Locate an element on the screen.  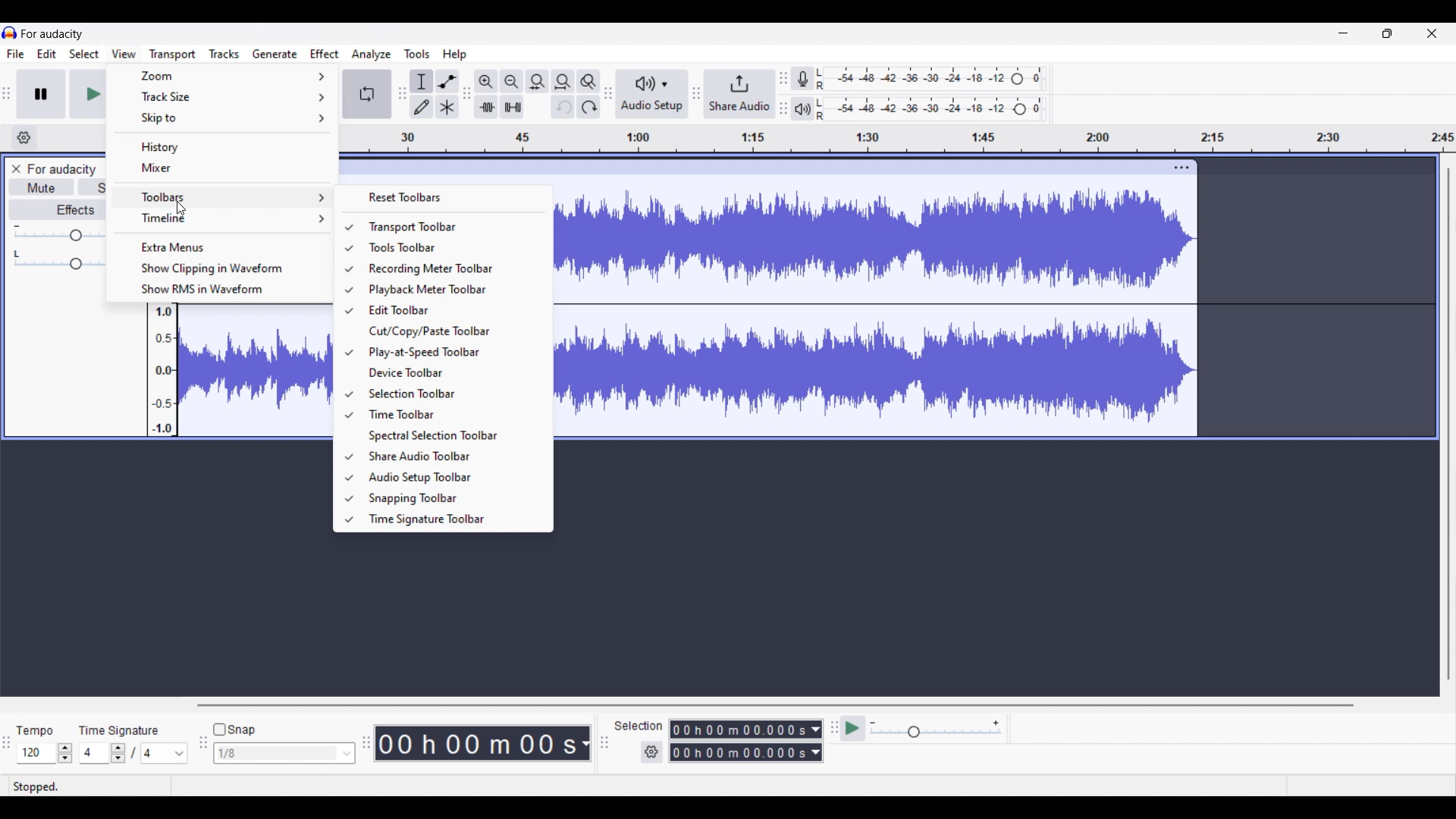
Close track is located at coordinates (17, 169).